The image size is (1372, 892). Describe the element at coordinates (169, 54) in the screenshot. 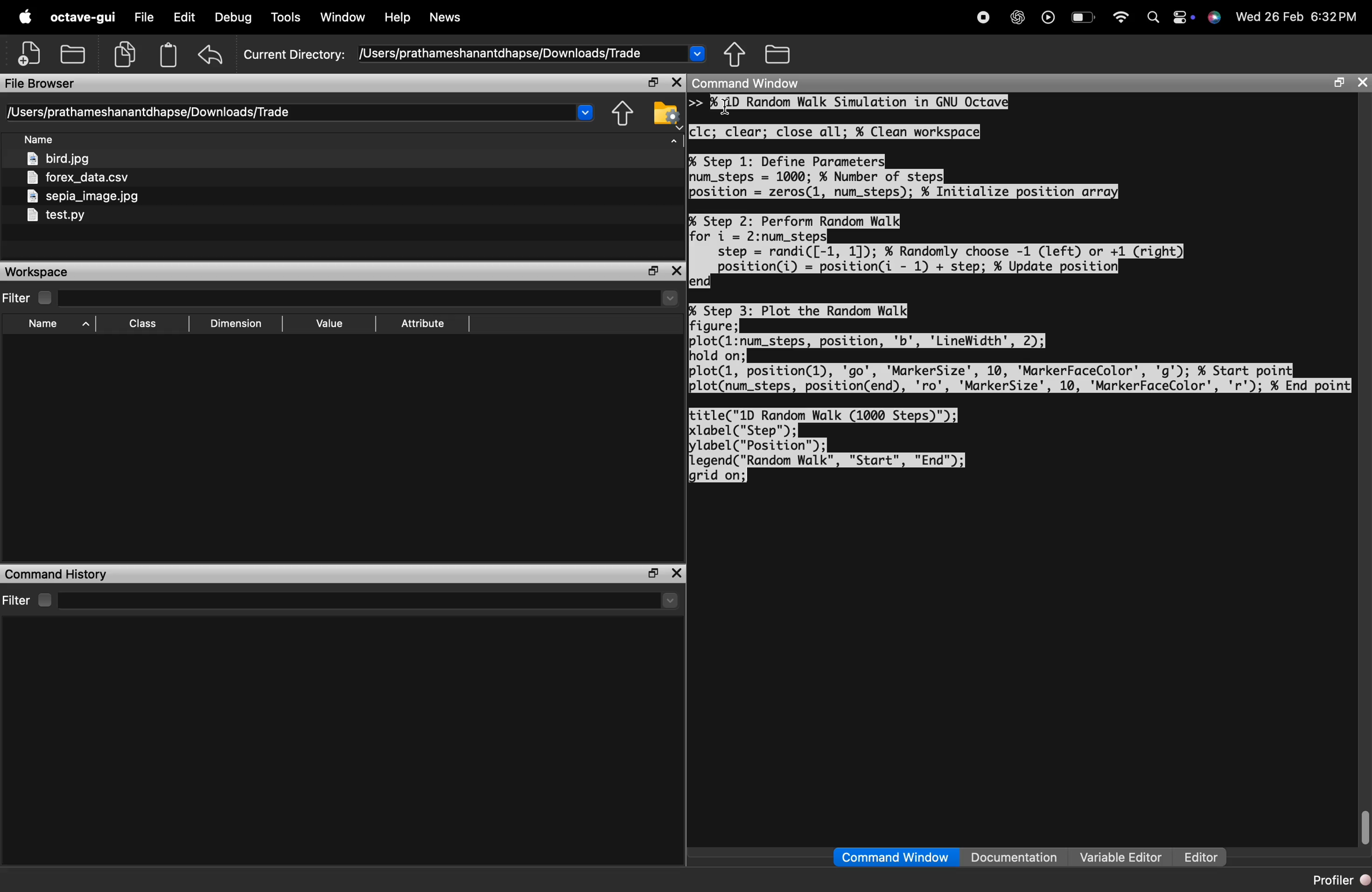

I see `paste` at that location.